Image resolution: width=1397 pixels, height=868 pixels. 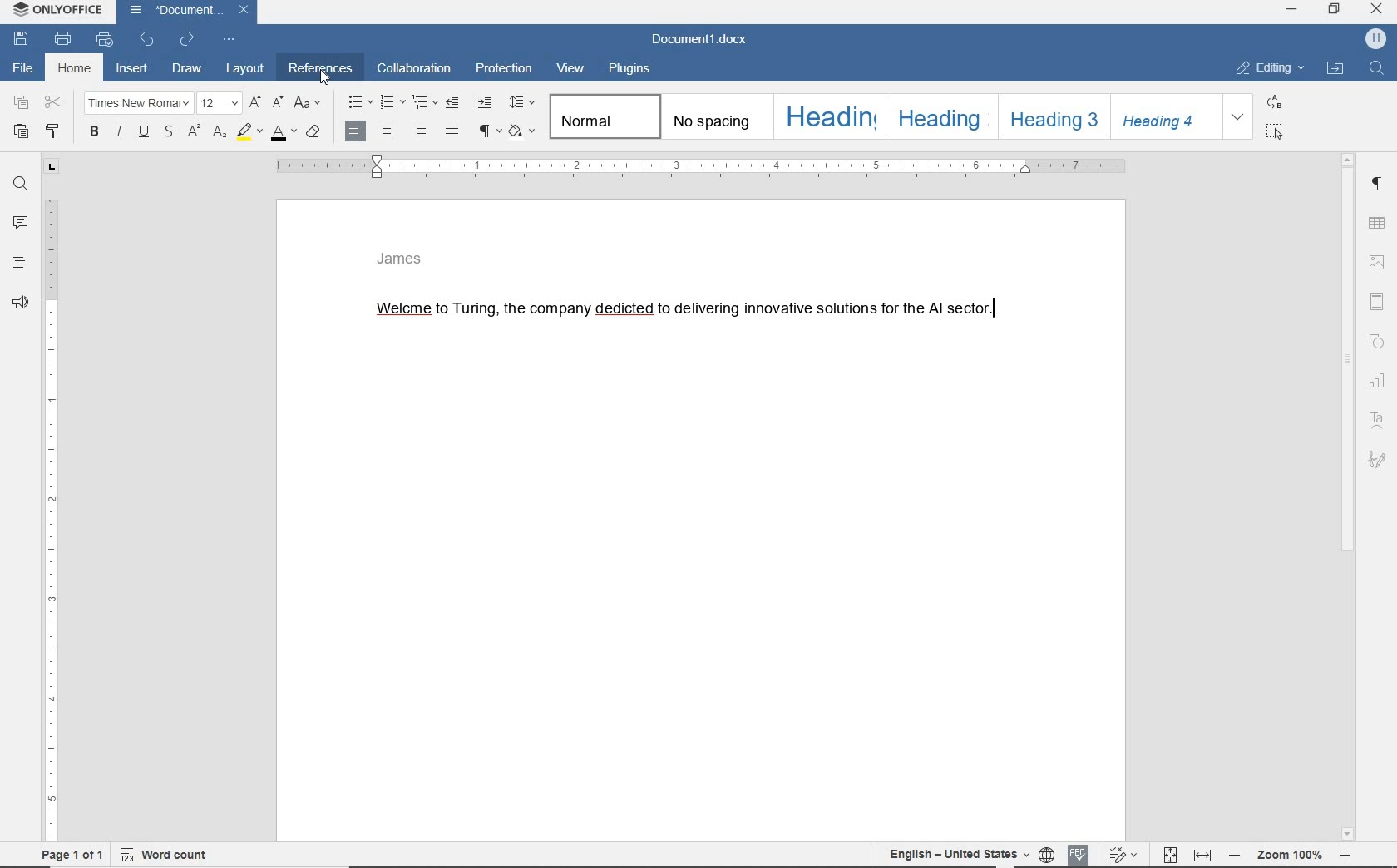 I want to click on draw, so click(x=187, y=68).